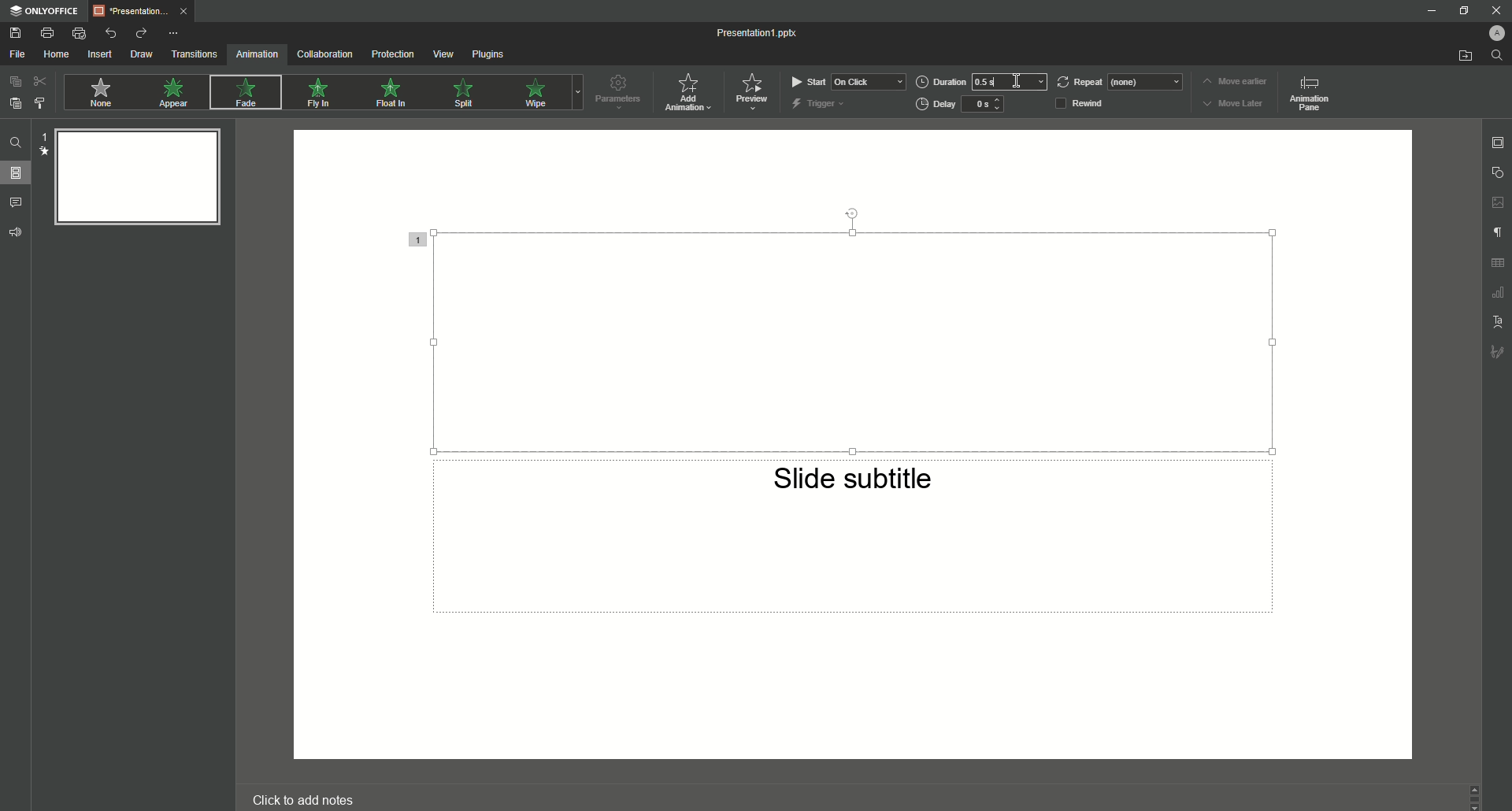  I want to click on Comments, so click(17, 203).